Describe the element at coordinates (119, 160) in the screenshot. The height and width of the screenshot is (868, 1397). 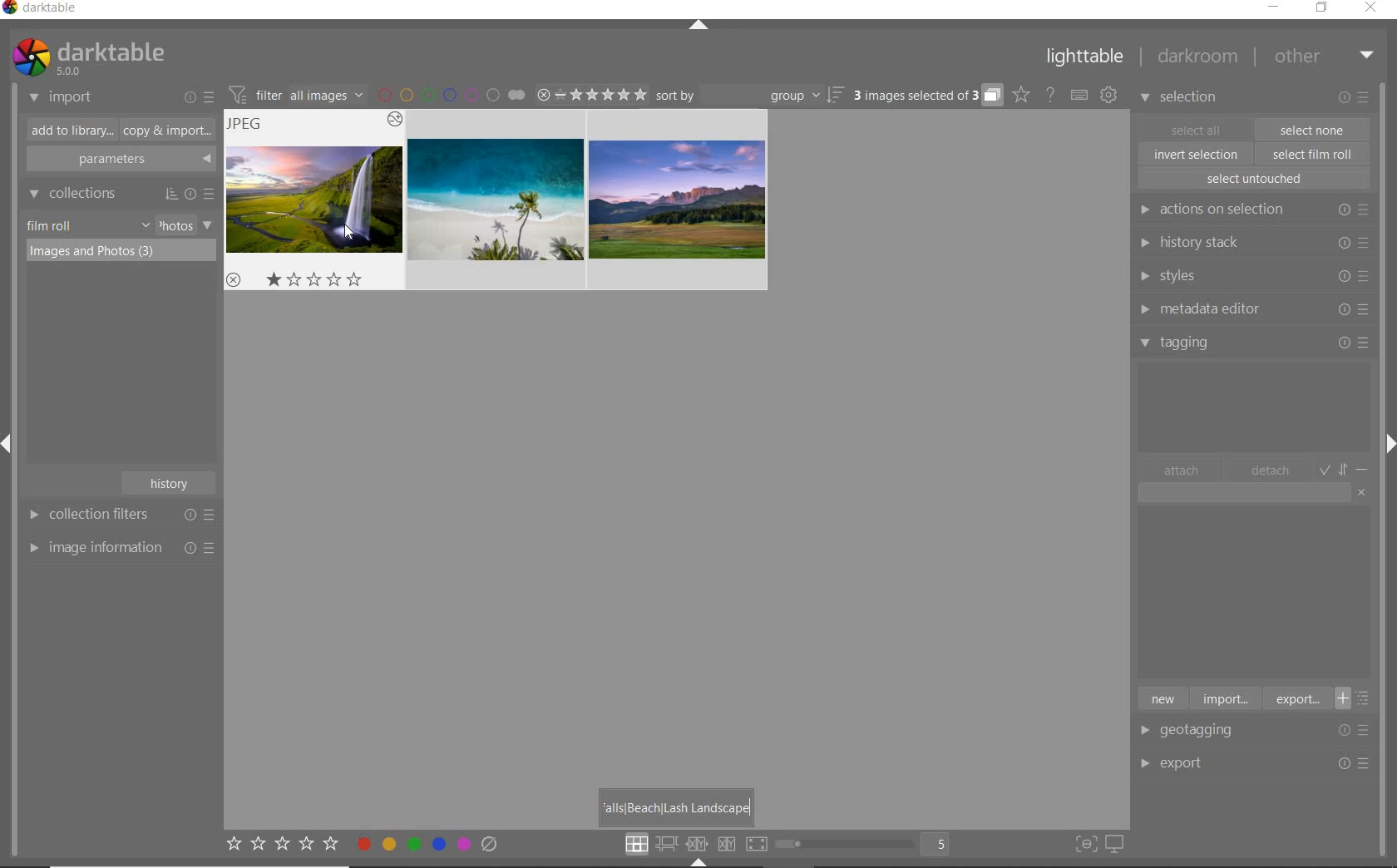
I see `parameters` at that location.